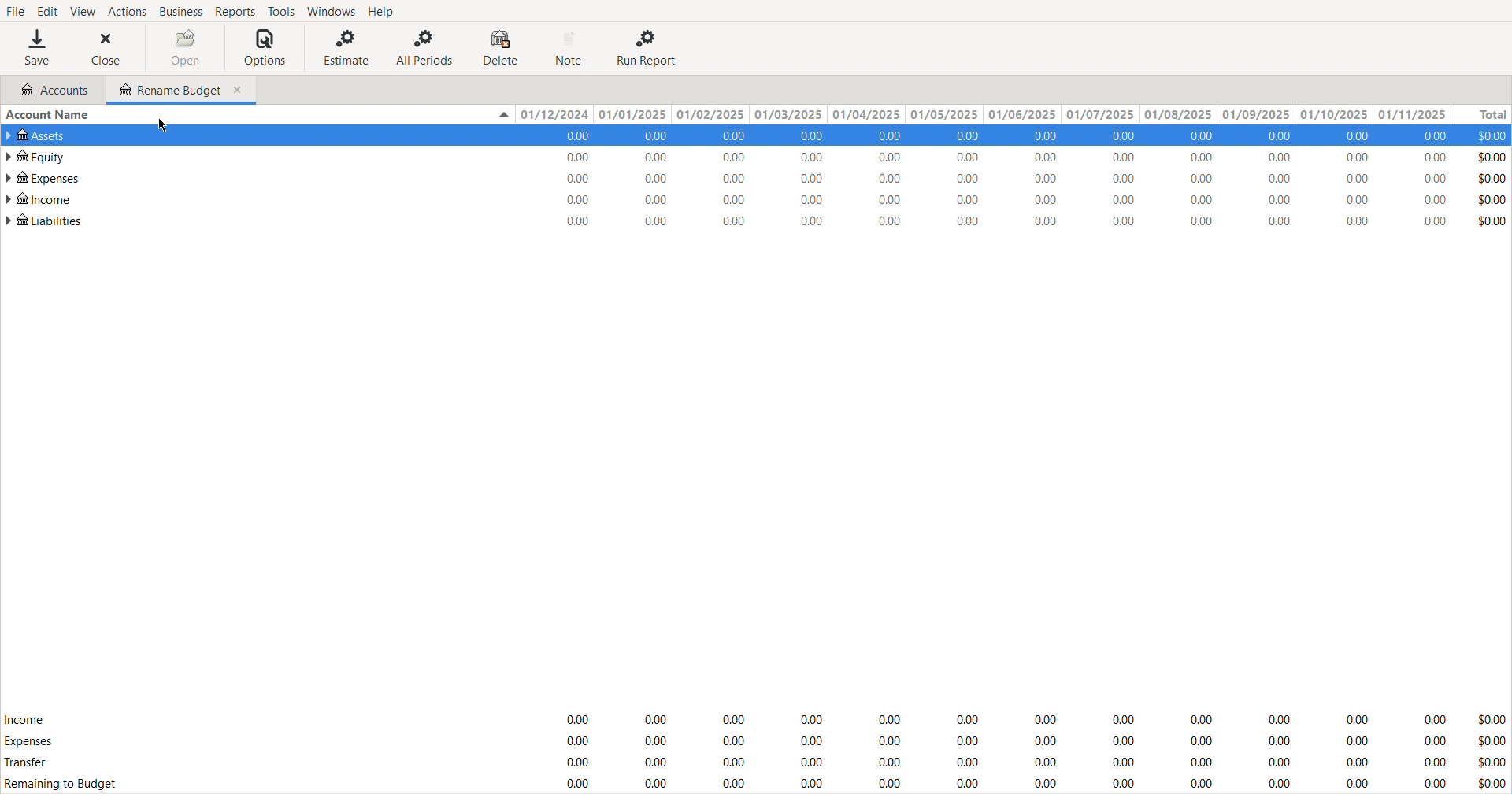  I want to click on Help, so click(385, 11).